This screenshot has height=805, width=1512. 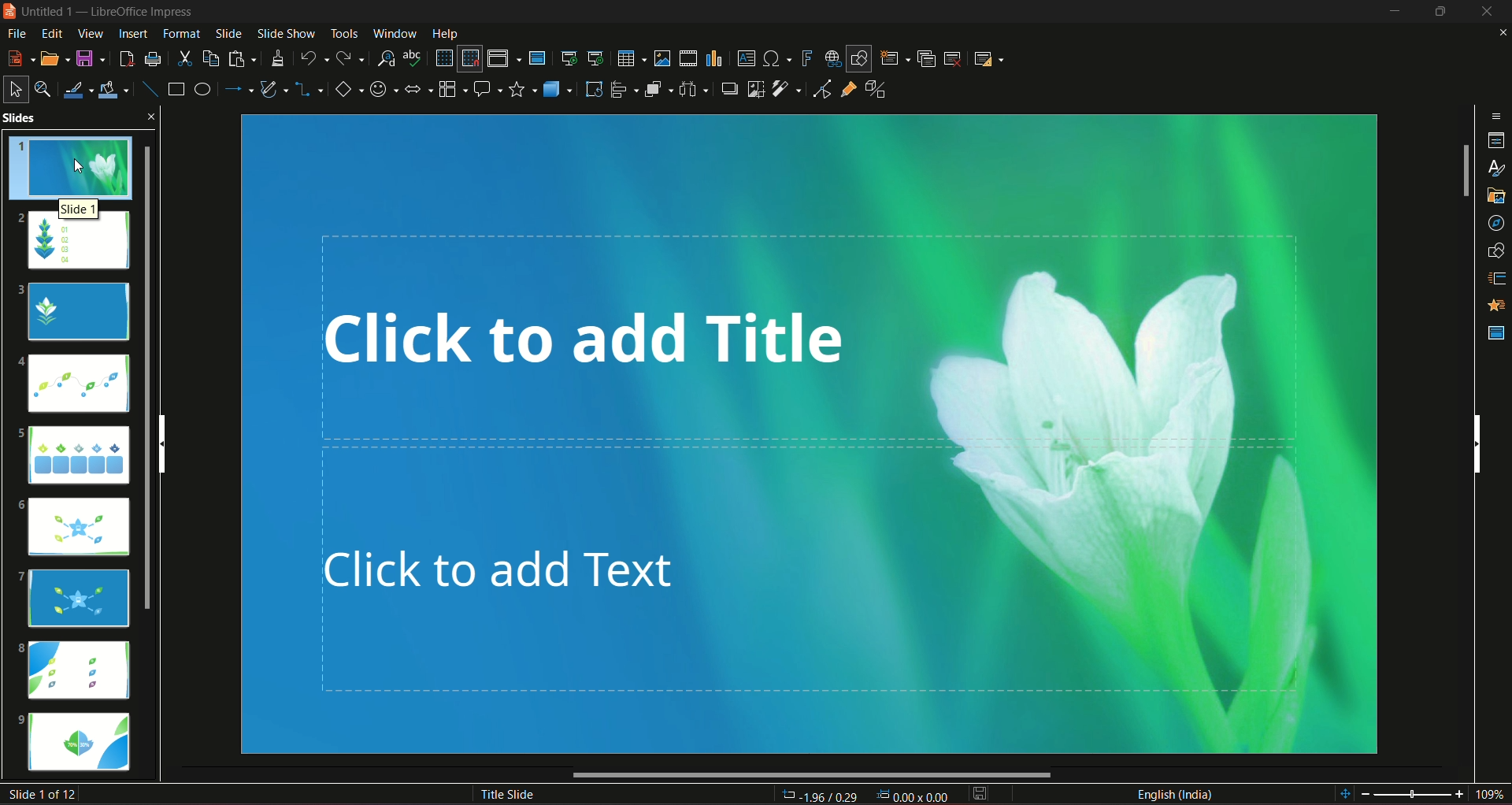 What do you see at coordinates (1392, 13) in the screenshot?
I see `minimize` at bounding box center [1392, 13].